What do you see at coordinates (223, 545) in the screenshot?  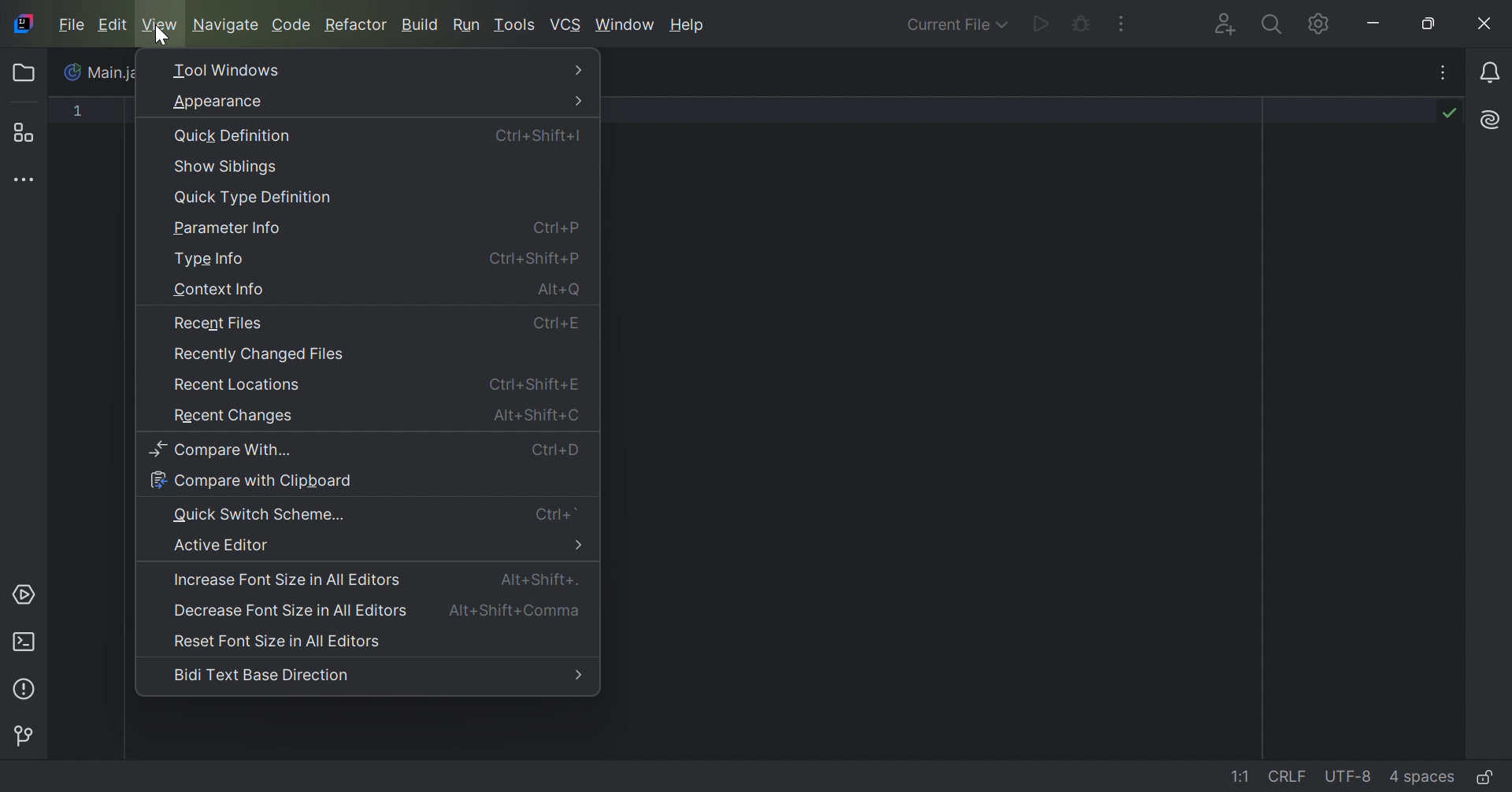 I see `Active Editor` at bounding box center [223, 545].